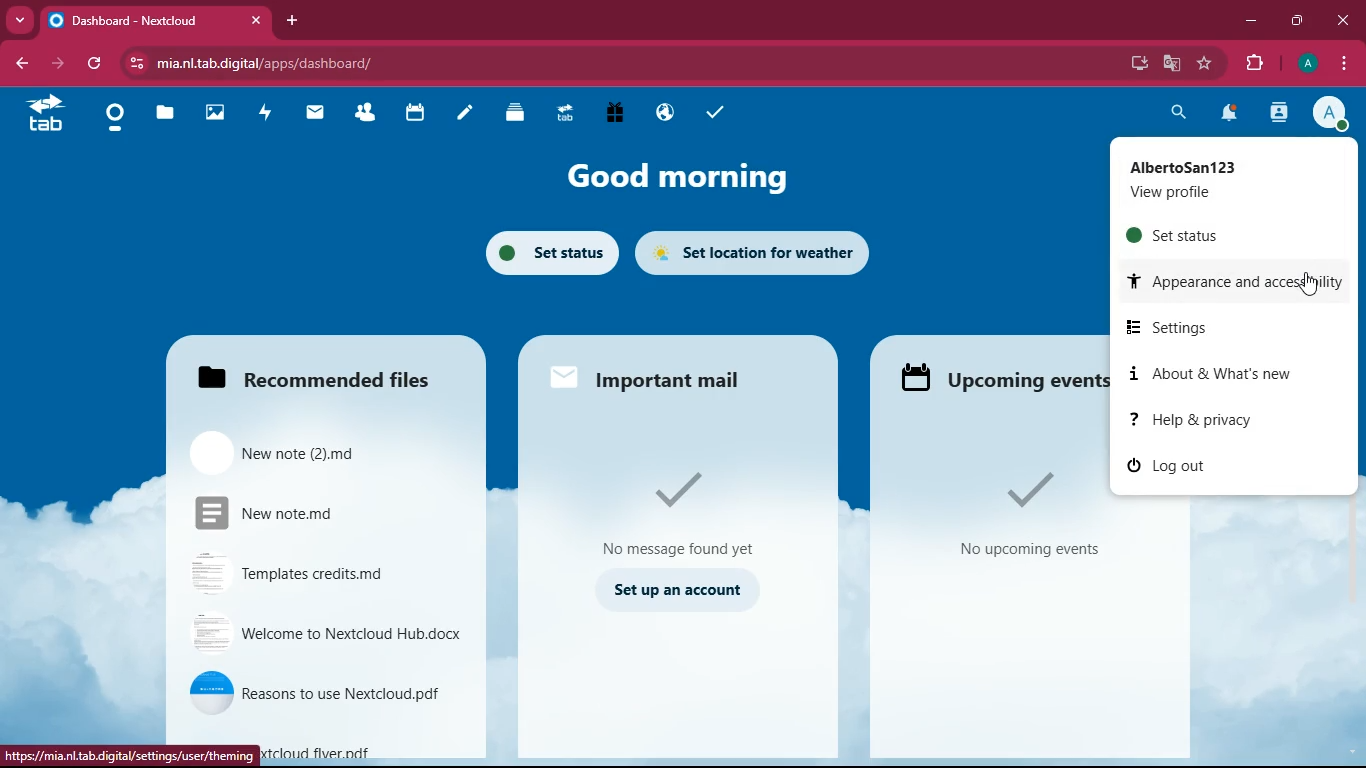  Describe the element at coordinates (327, 634) in the screenshot. I see `file` at that location.